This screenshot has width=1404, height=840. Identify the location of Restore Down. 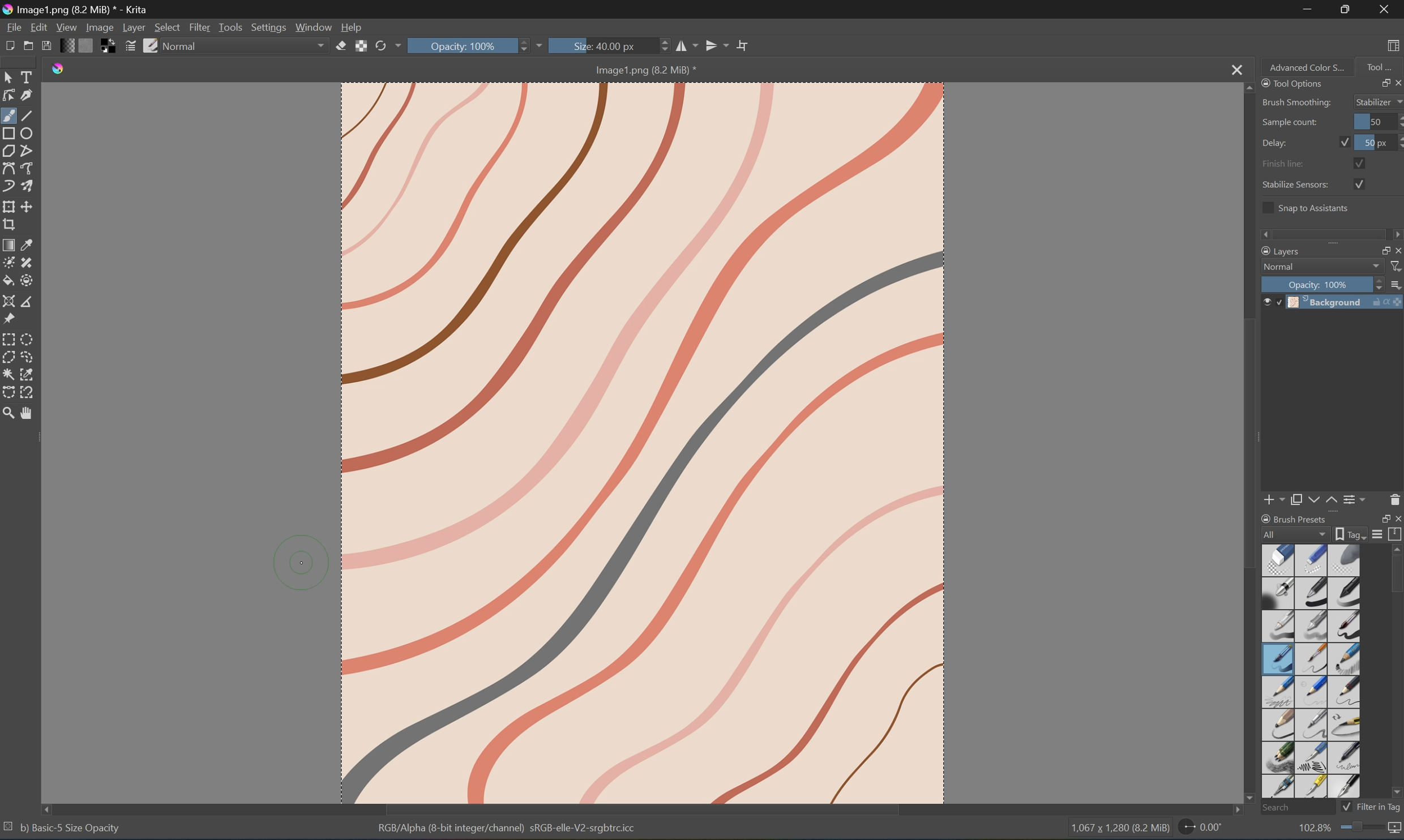
(1379, 83).